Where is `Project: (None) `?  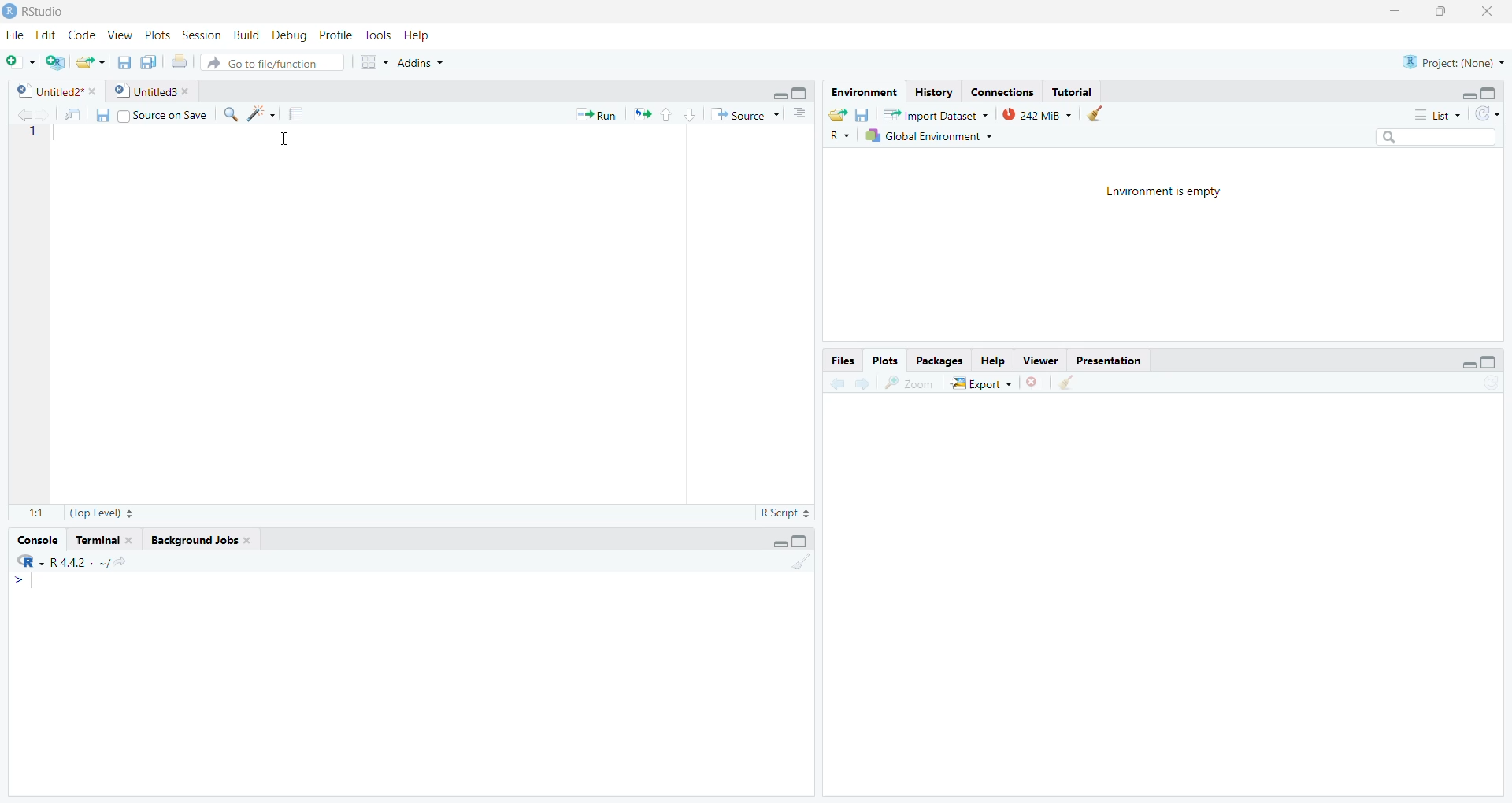 Project: (None)  is located at coordinates (1453, 61).